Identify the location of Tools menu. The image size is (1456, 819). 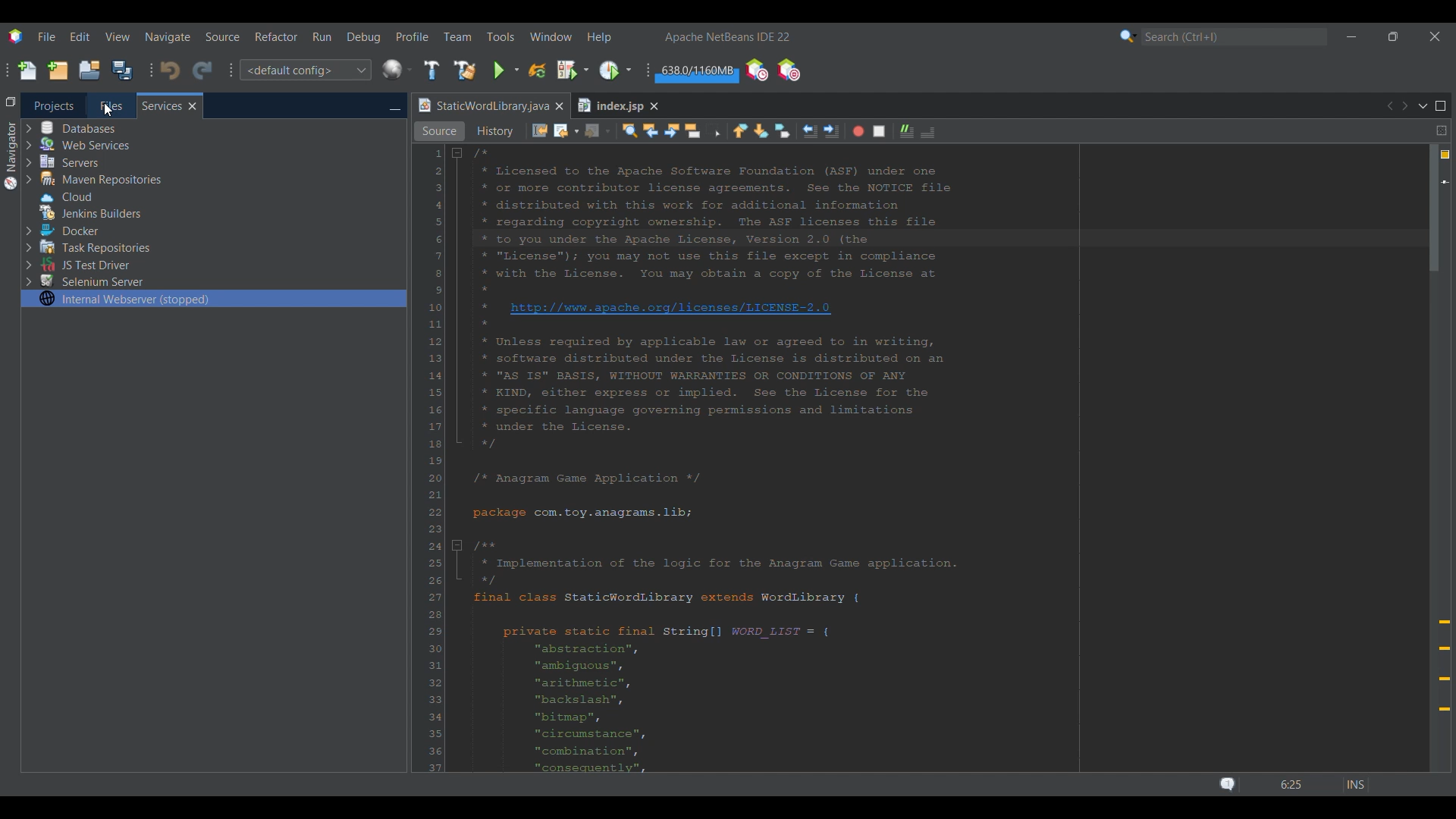
(500, 36).